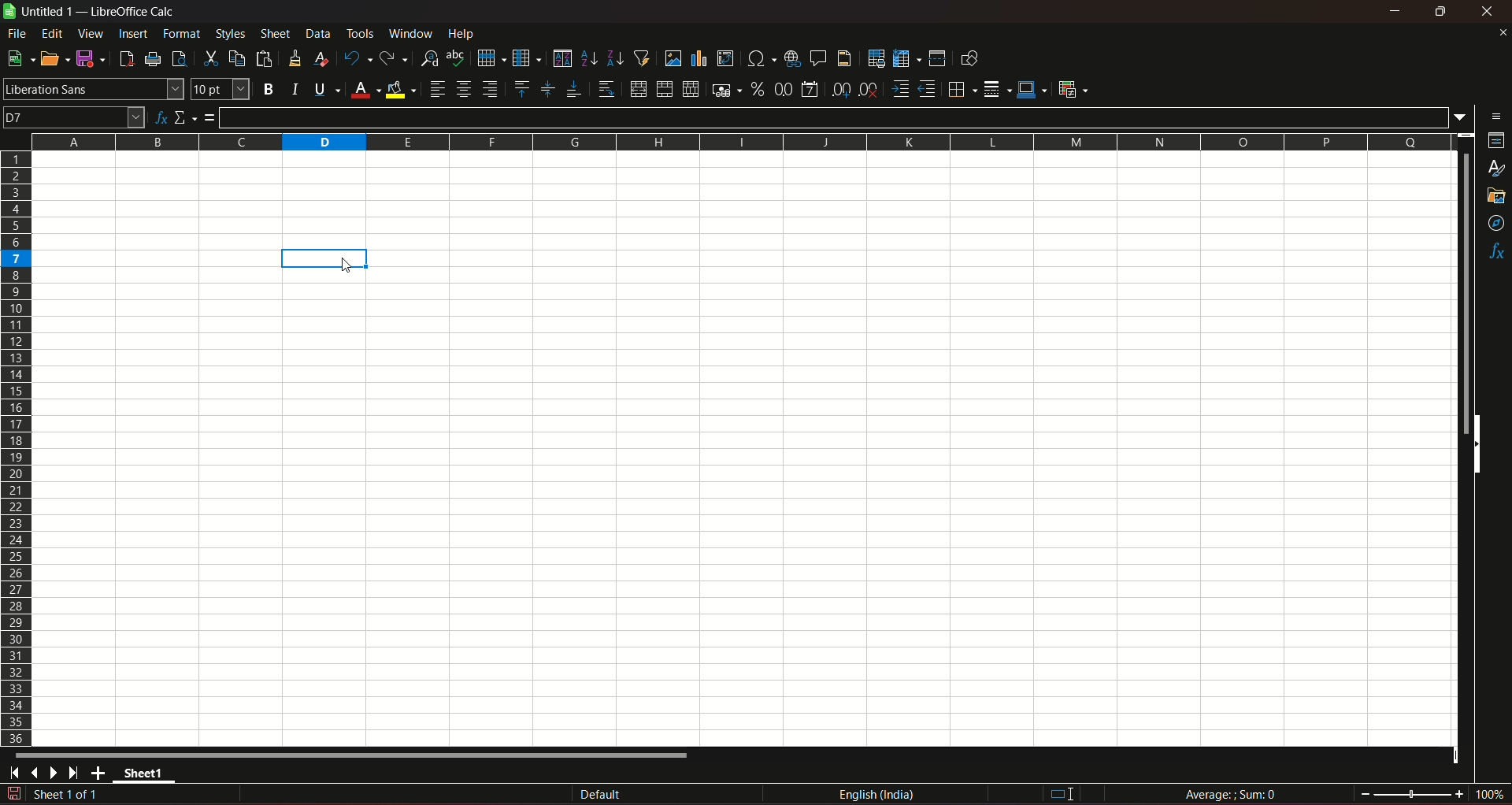 This screenshot has height=805, width=1512. What do you see at coordinates (132, 32) in the screenshot?
I see `insert` at bounding box center [132, 32].